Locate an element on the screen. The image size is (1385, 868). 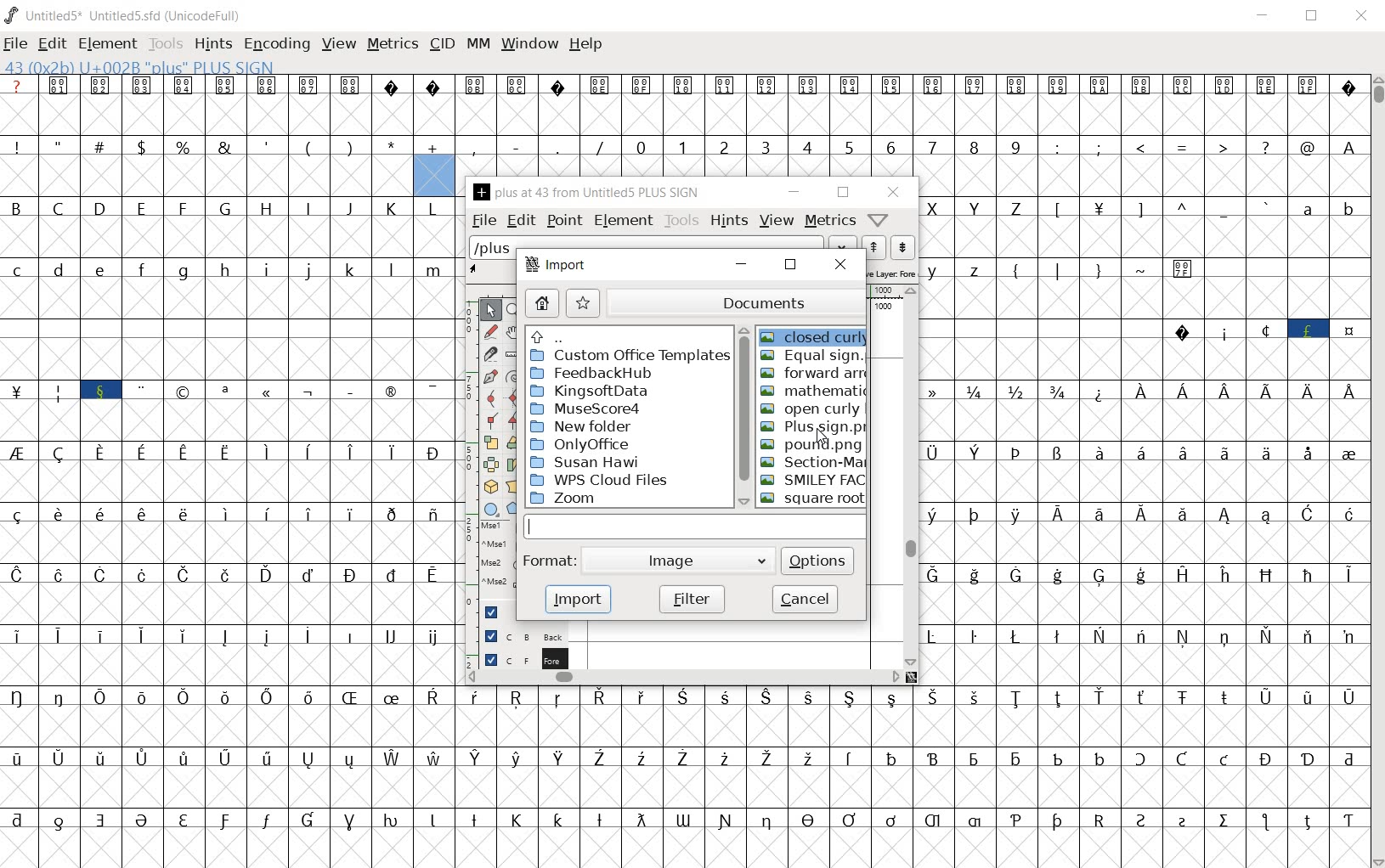
 is located at coordinates (412, 656).